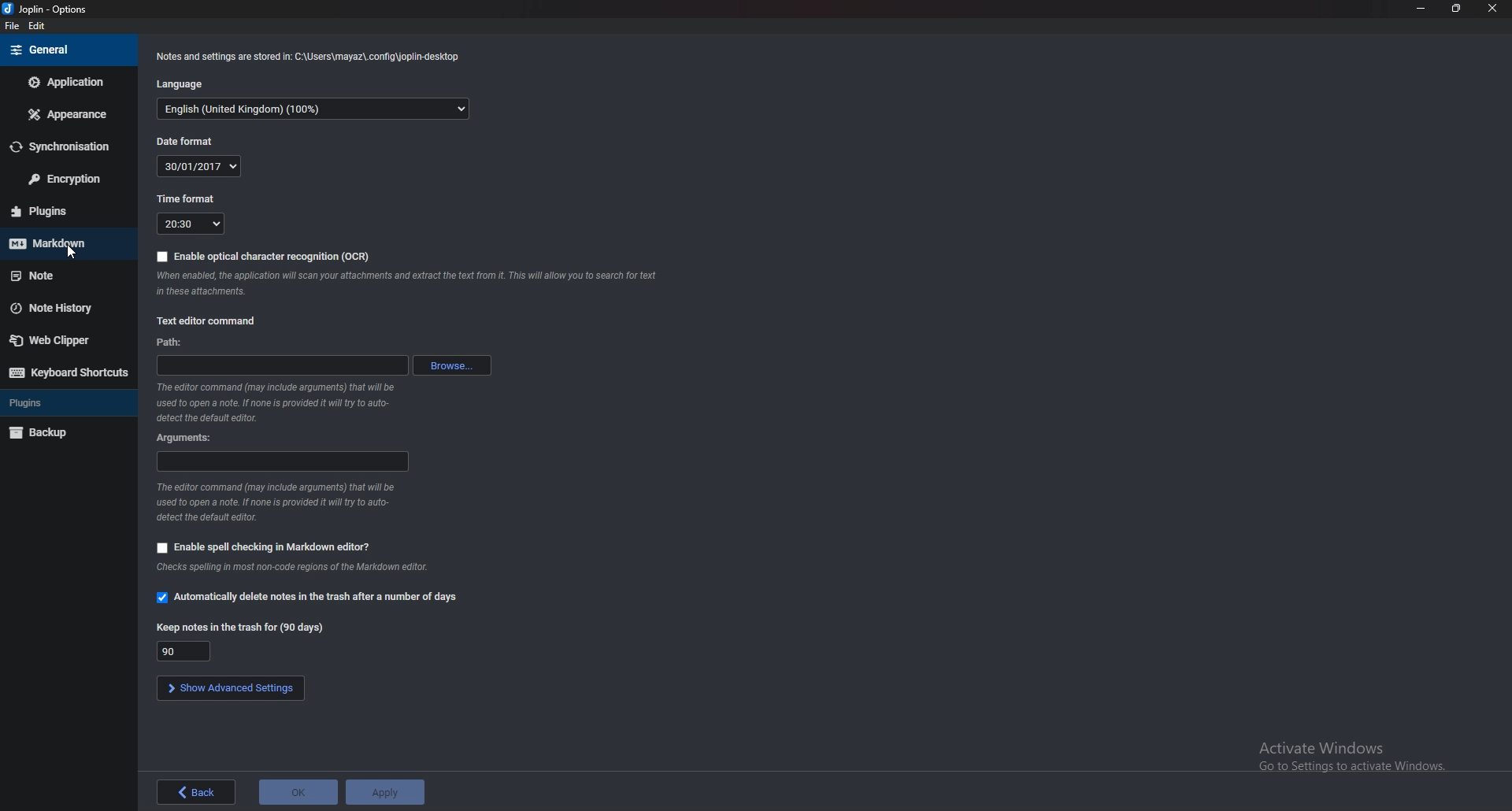 This screenshot has width=1512, height=811. Describe the element at coordinates (187, 83) in the screenshot. I see `Language` at that location.